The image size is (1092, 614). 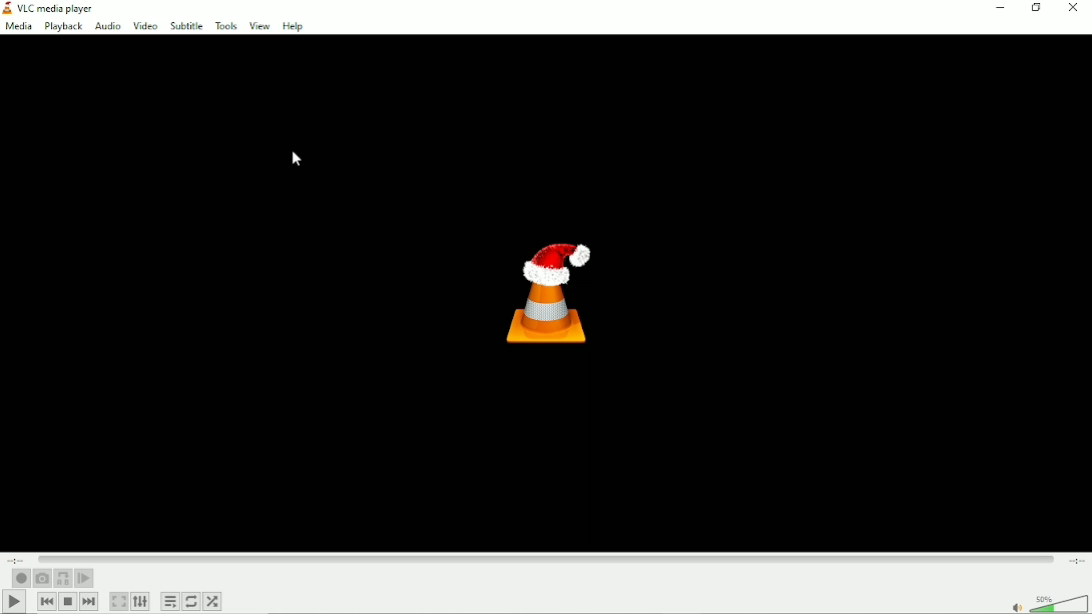 What do you see at coordinates (169, 601) in the screenshot?
I see `Toggle playlist` at bounding box center [169, 601].